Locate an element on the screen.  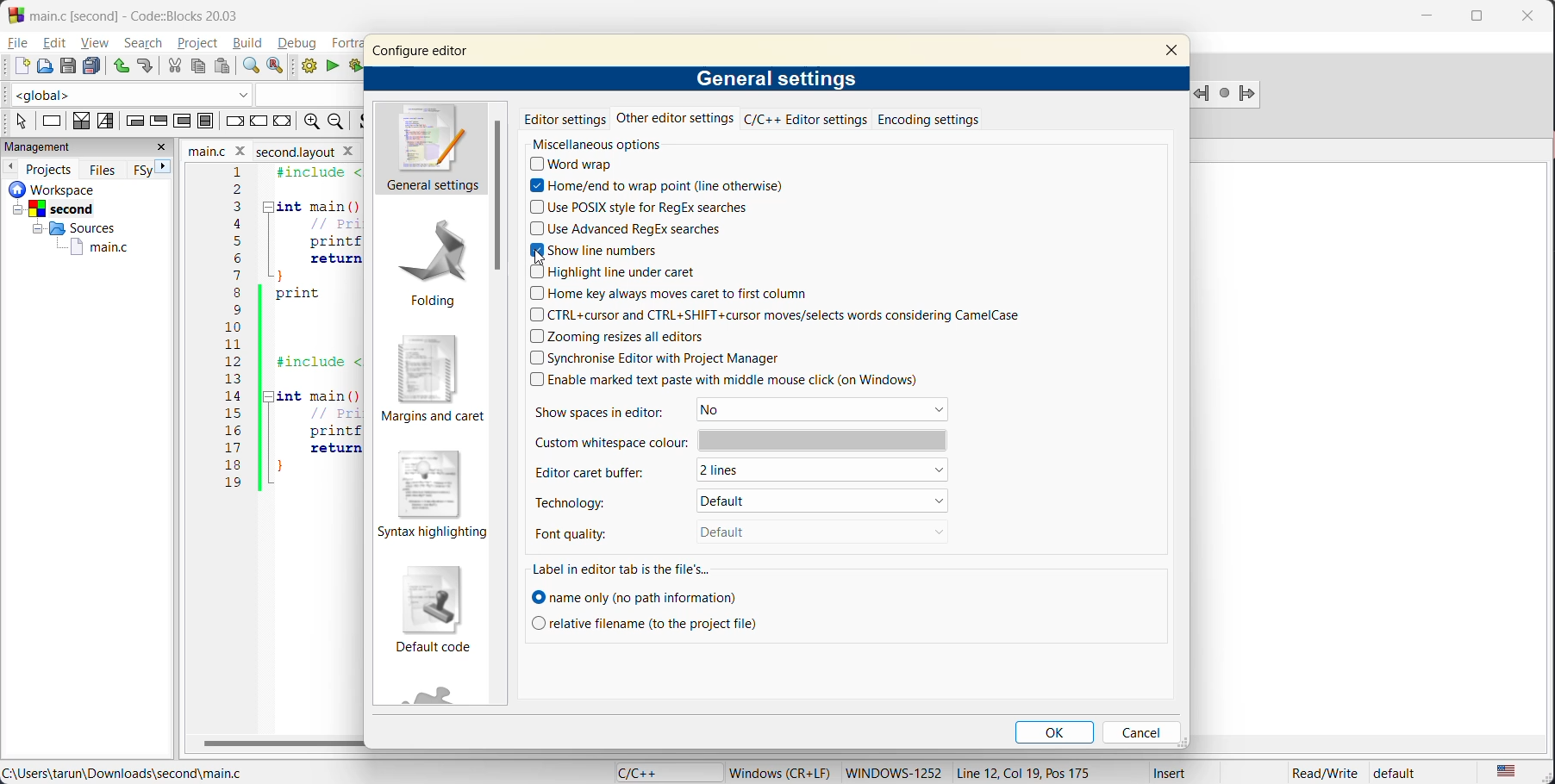
project is located at coordinates (200, 45).